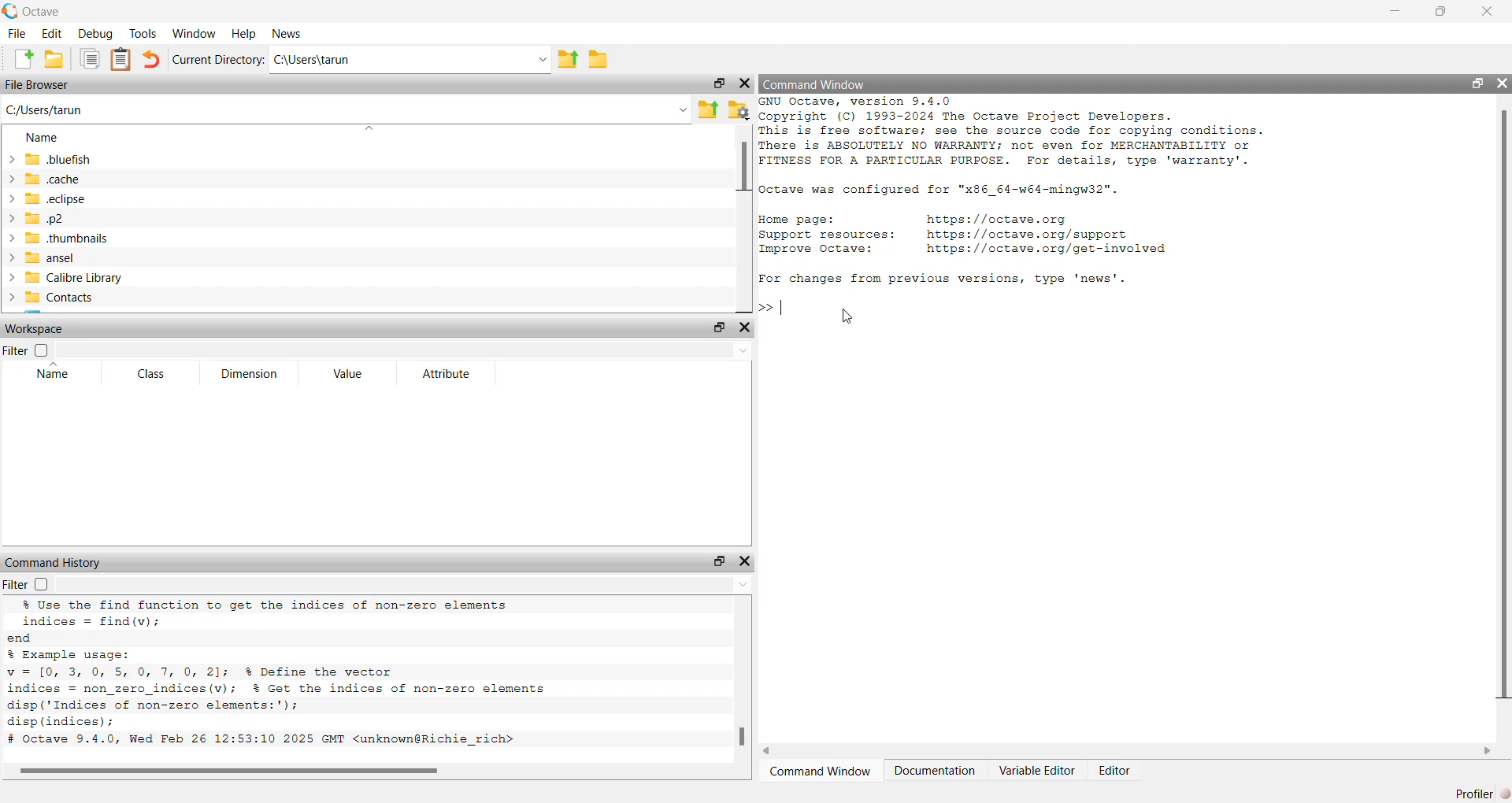  I want to click on Editor, so click(1114, 772).